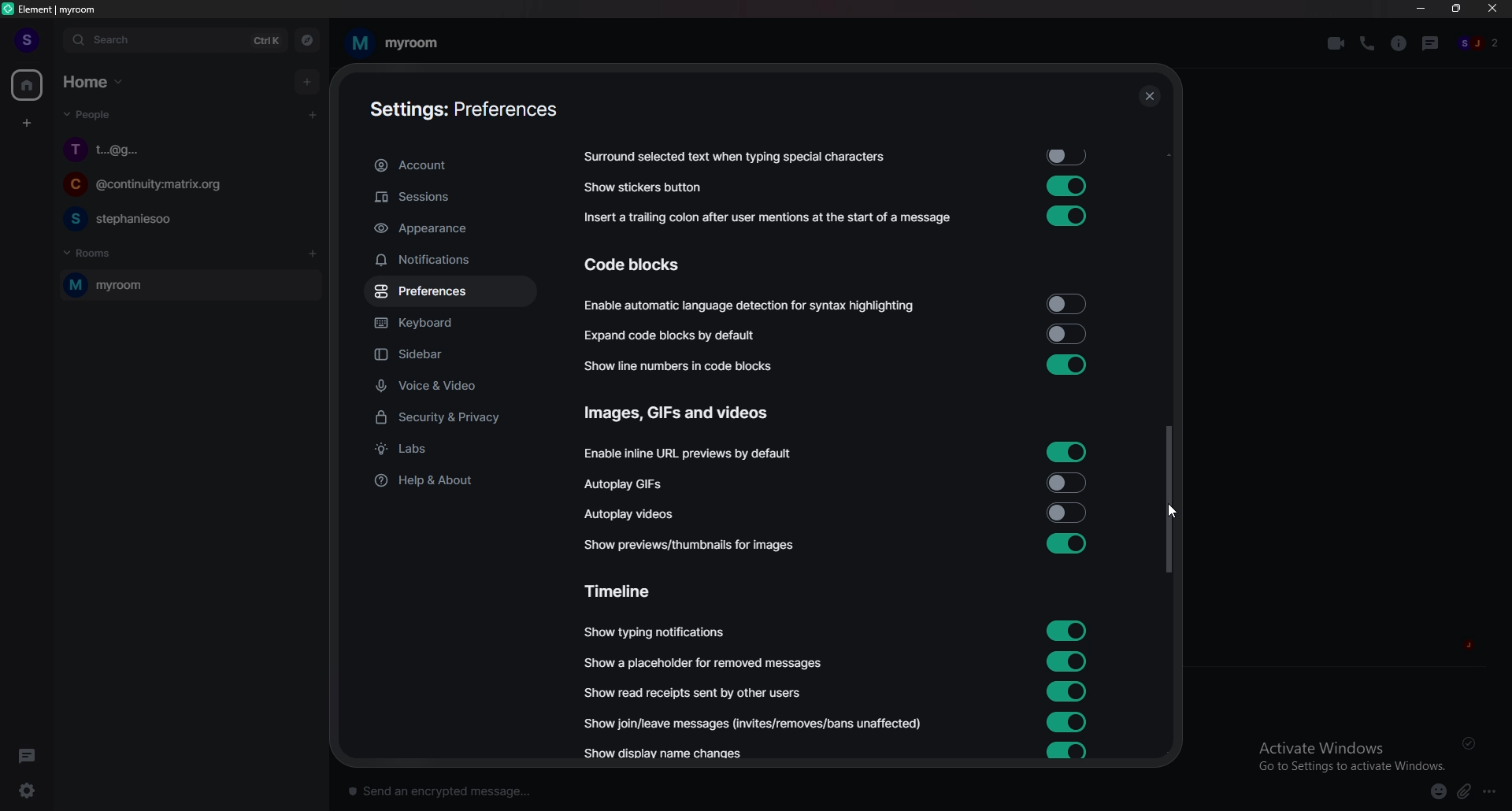  Describe the element at coordinates (457, 111) in the screenshot. I see `settings account` at that location.